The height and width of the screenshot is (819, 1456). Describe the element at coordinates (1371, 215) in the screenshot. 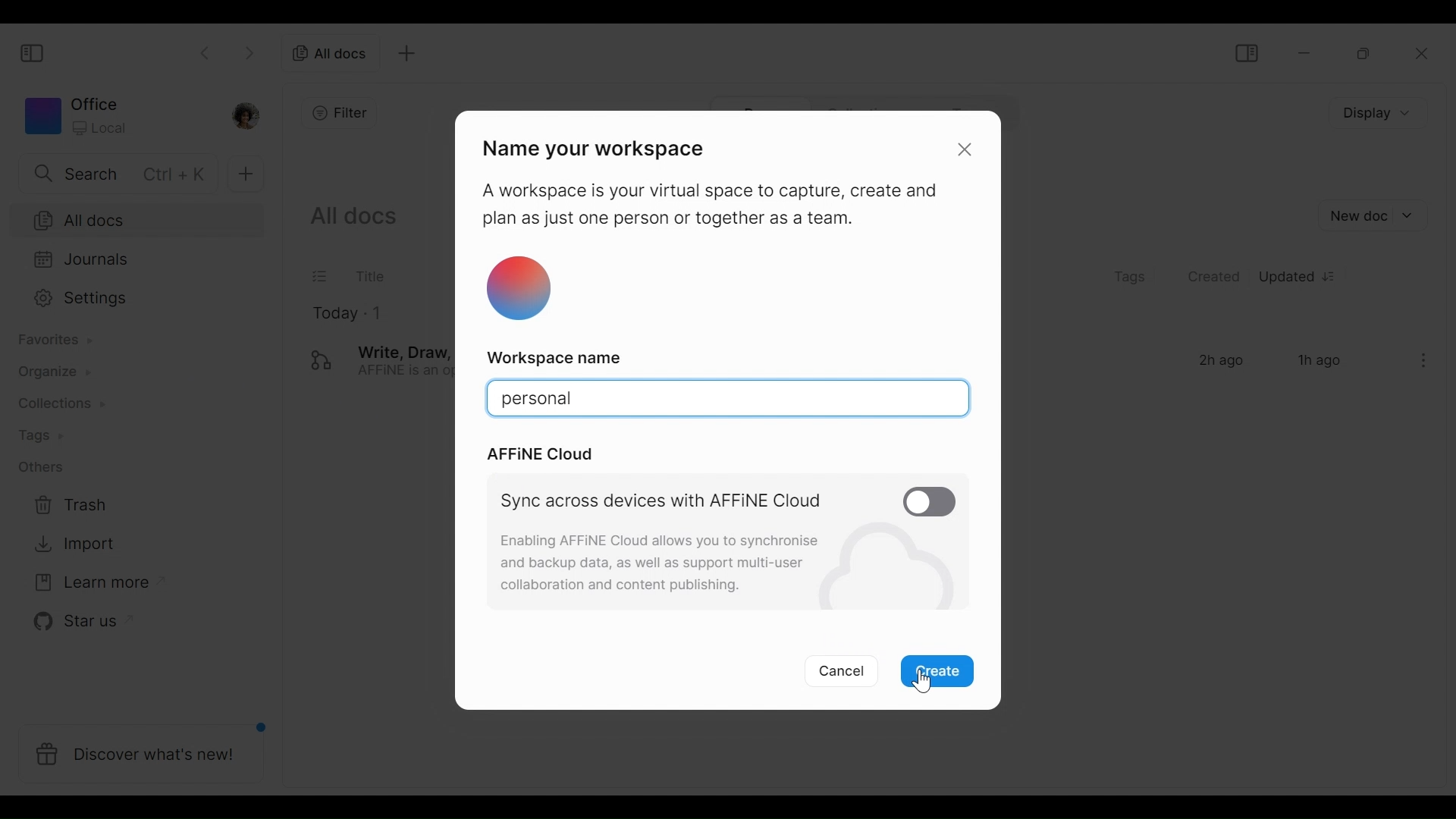

I see `New document` at that location.